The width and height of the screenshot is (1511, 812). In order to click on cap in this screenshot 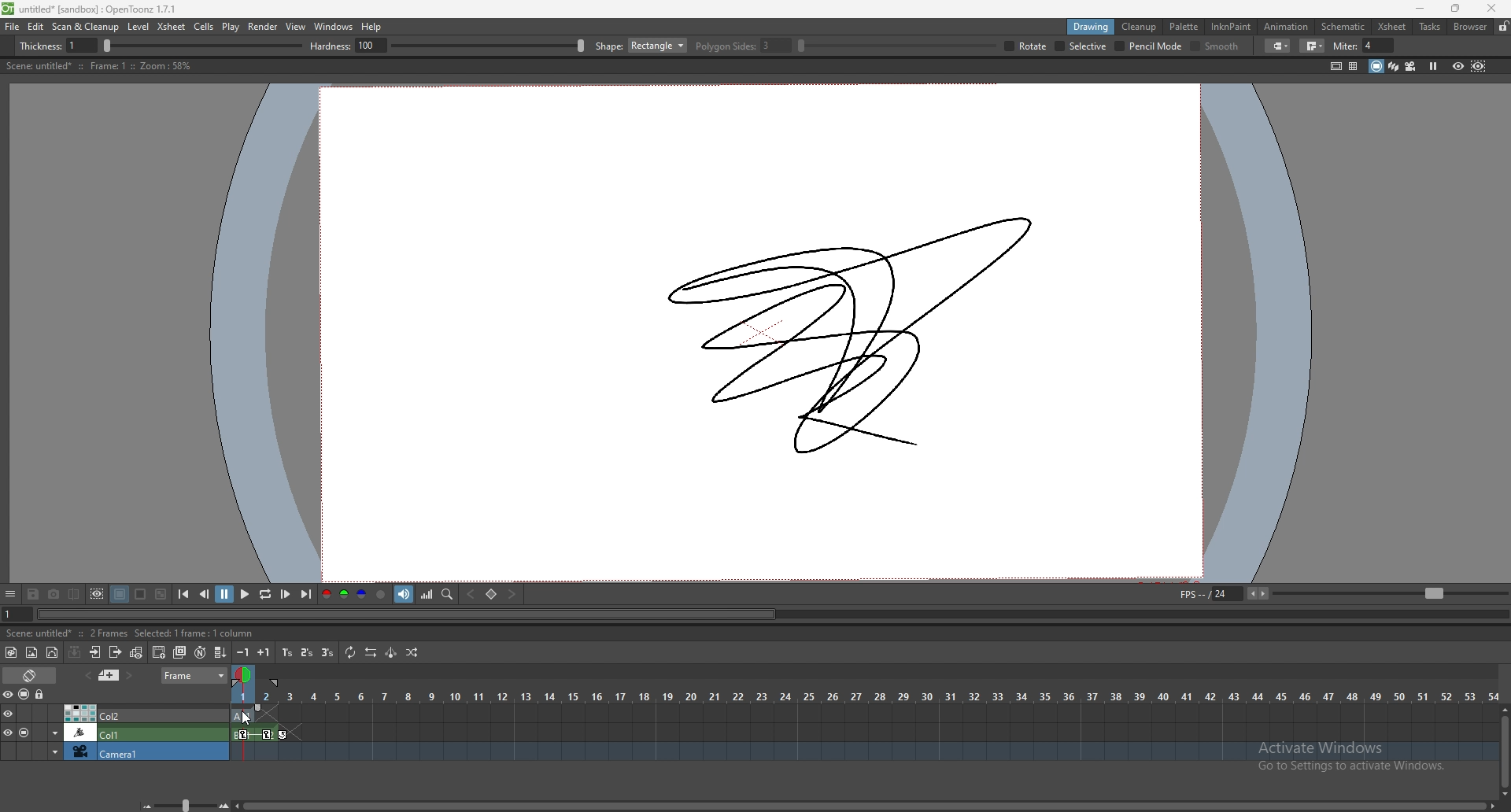, I will do `click(1278, 46)`.